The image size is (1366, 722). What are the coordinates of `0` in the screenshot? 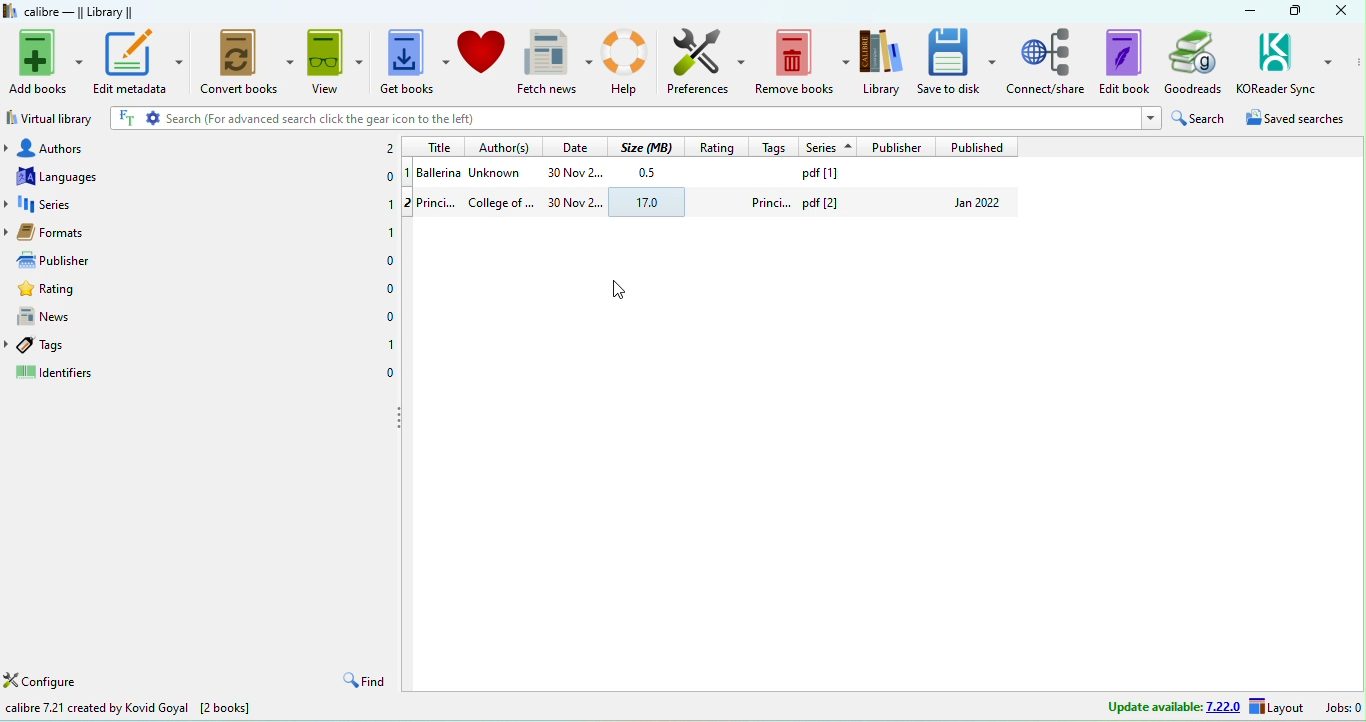 It's located at (388, 289).